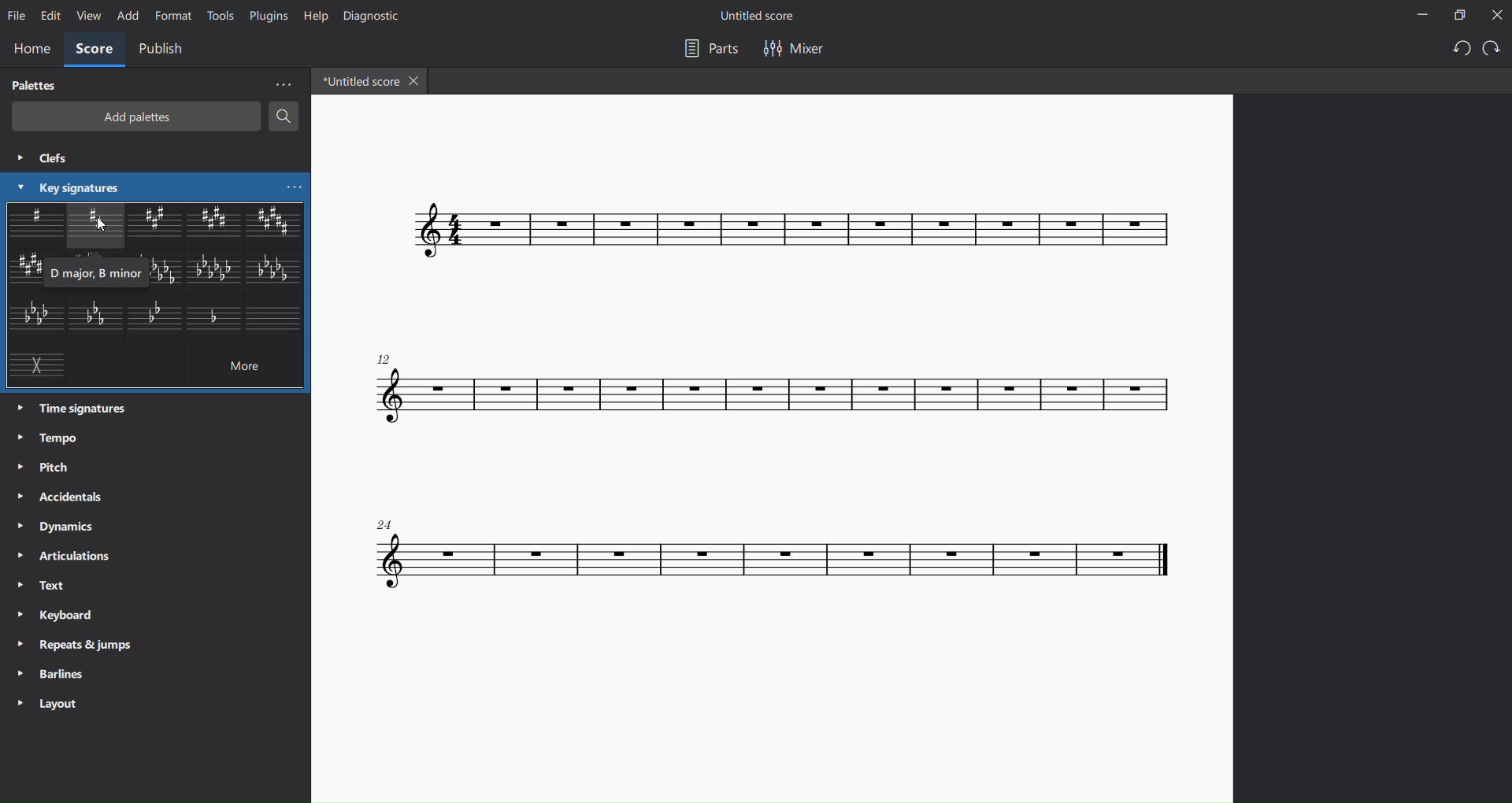 The height and width of the screenshot is (803, 1512). What do you see at coordinates (93, 48) in the screenshot?
I see `score` at bounding box center [93, 48].